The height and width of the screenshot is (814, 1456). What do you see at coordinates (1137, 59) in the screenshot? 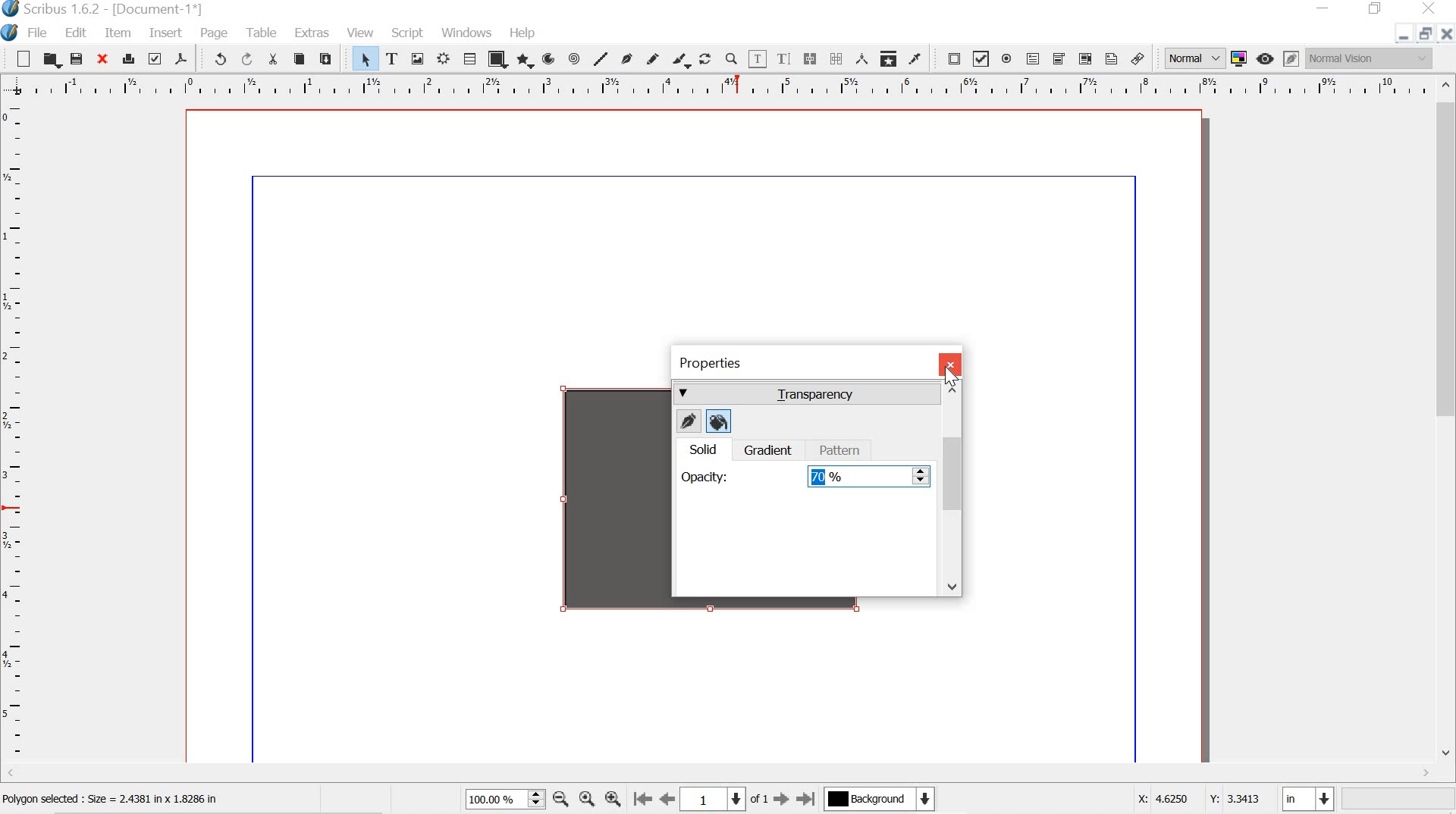
I see `link annotation` at bounding box center [1137, 59].